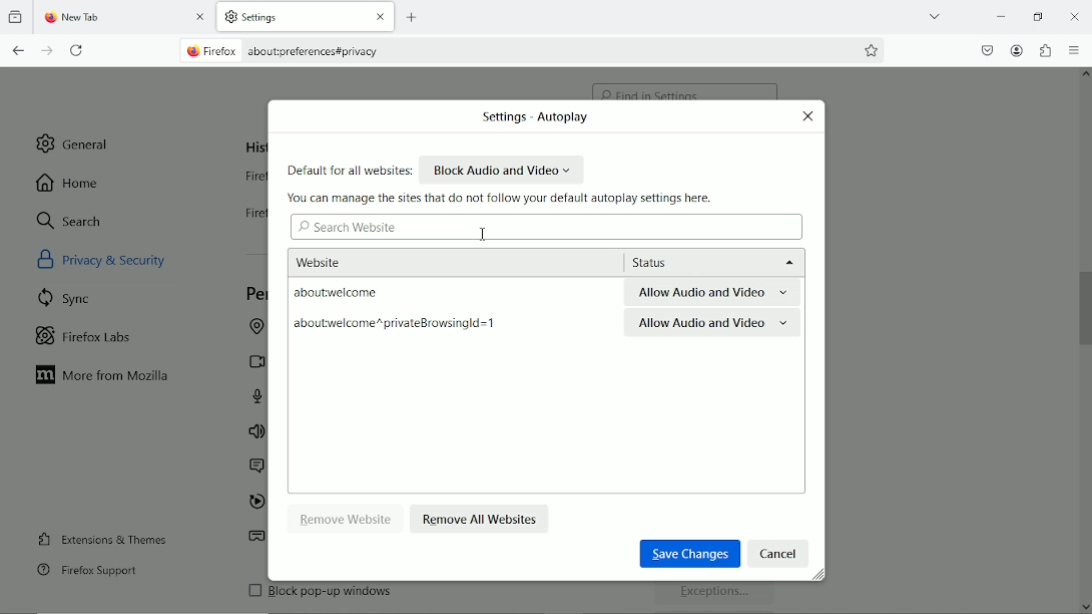 This screenshot has height=614, width=1092. I want to click on settings, so click(275, 18).